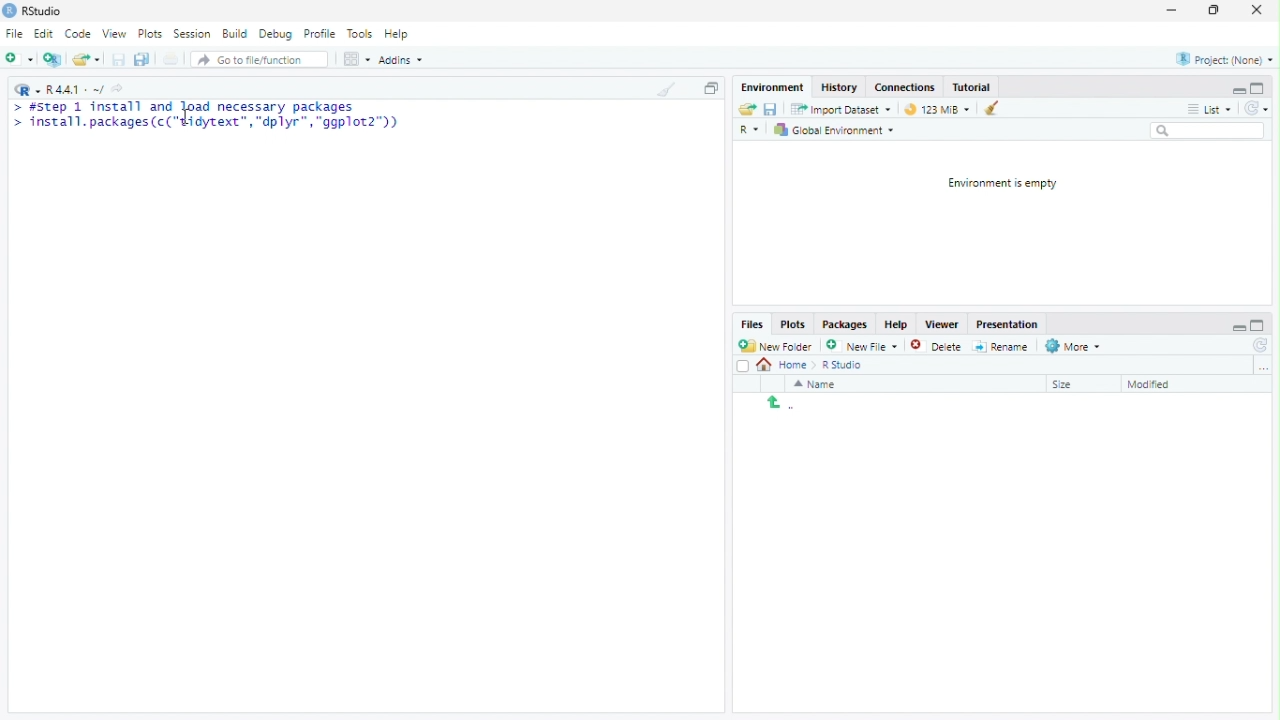 This screenshot has height=720, width=1280. What do you see at coordinates (119, 59) in the screenshot?
I see `Save` at bounding box center [119, 59].